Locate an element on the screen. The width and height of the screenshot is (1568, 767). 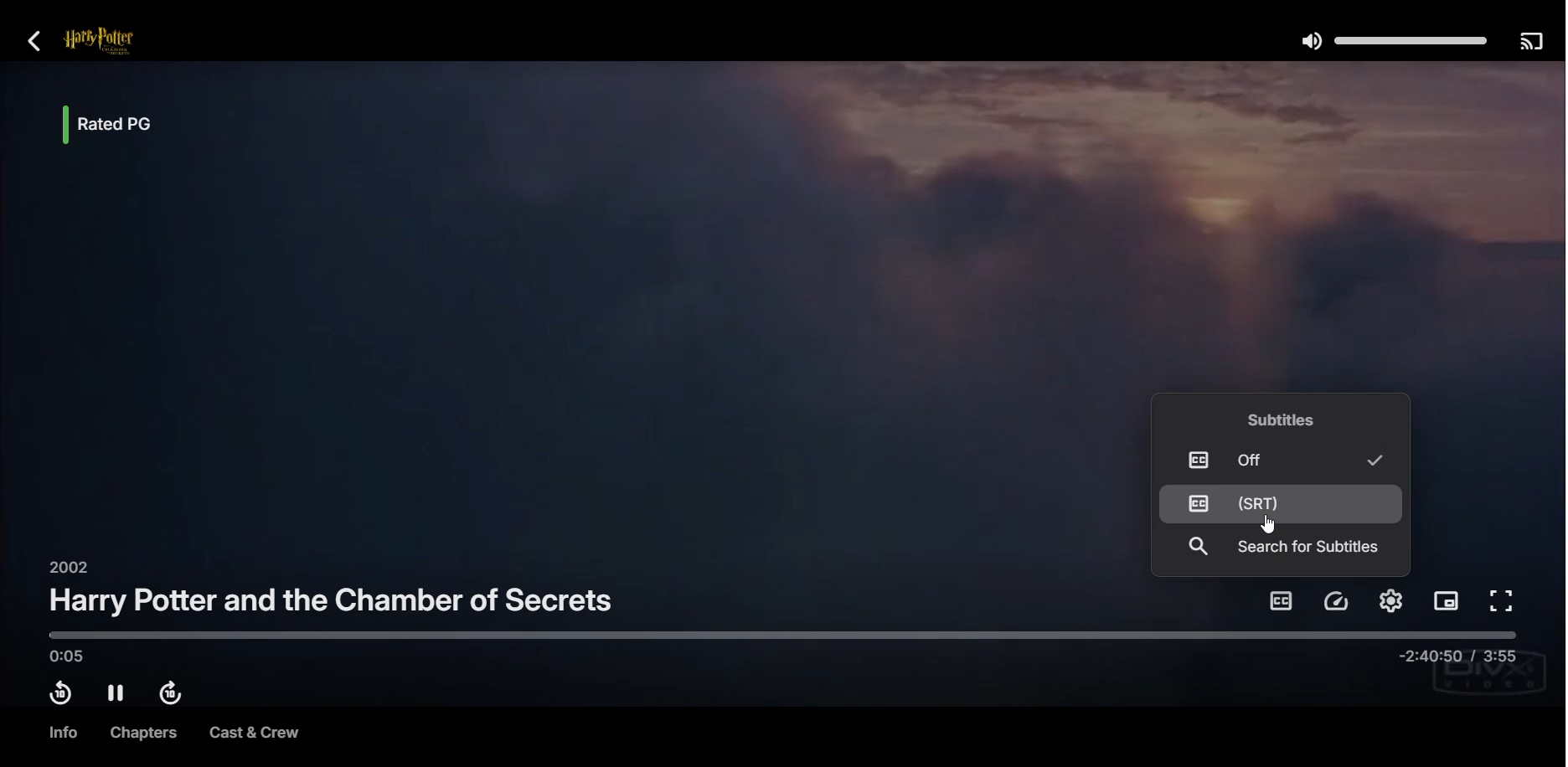
Rated PG is located at coordinates (125, 126).